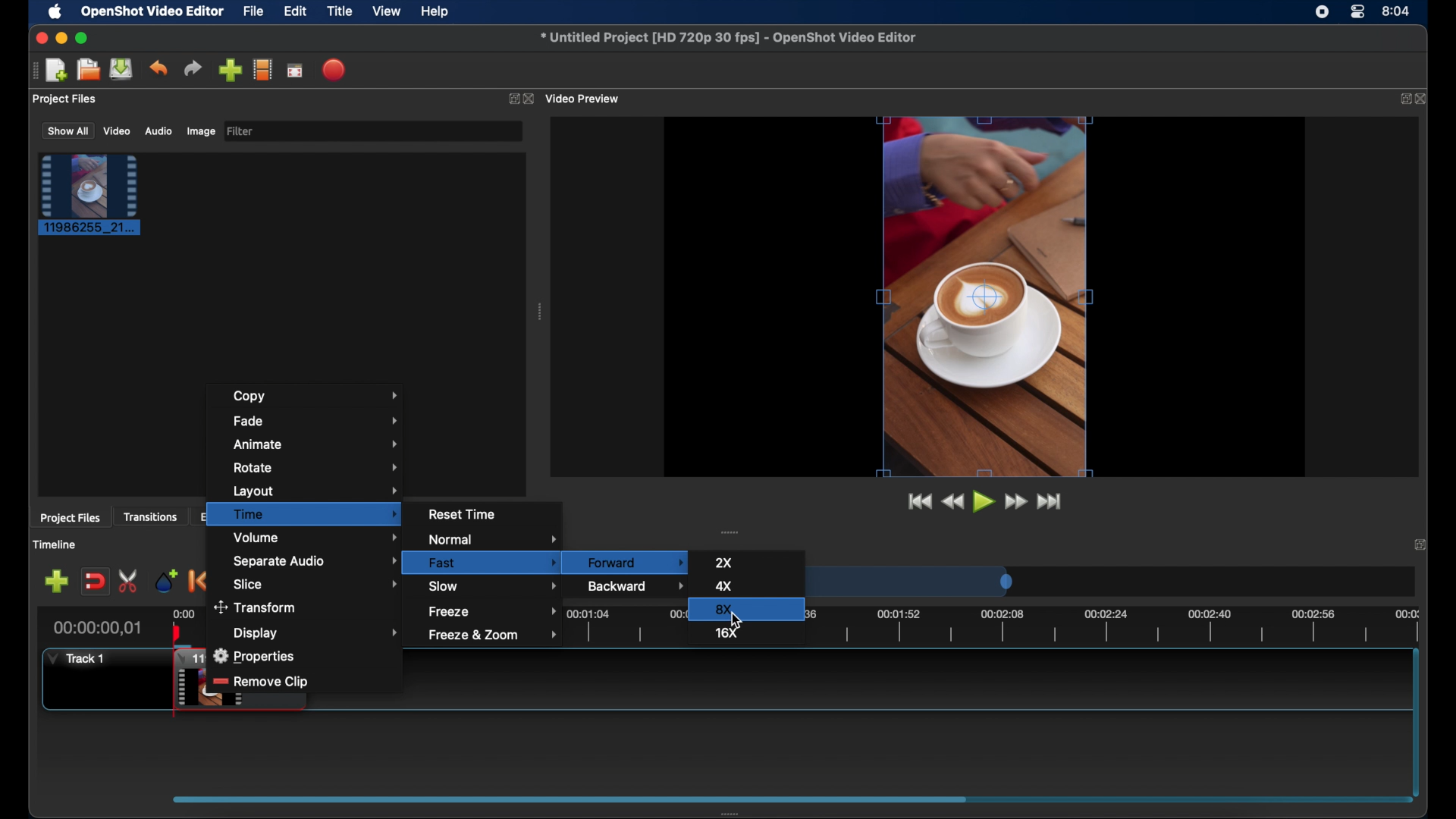 This screenshot has width=1456, height=819. What do you see at coordinates (77, 658) in the screenshot?
I see `track1` at bounding box center [77, 658].